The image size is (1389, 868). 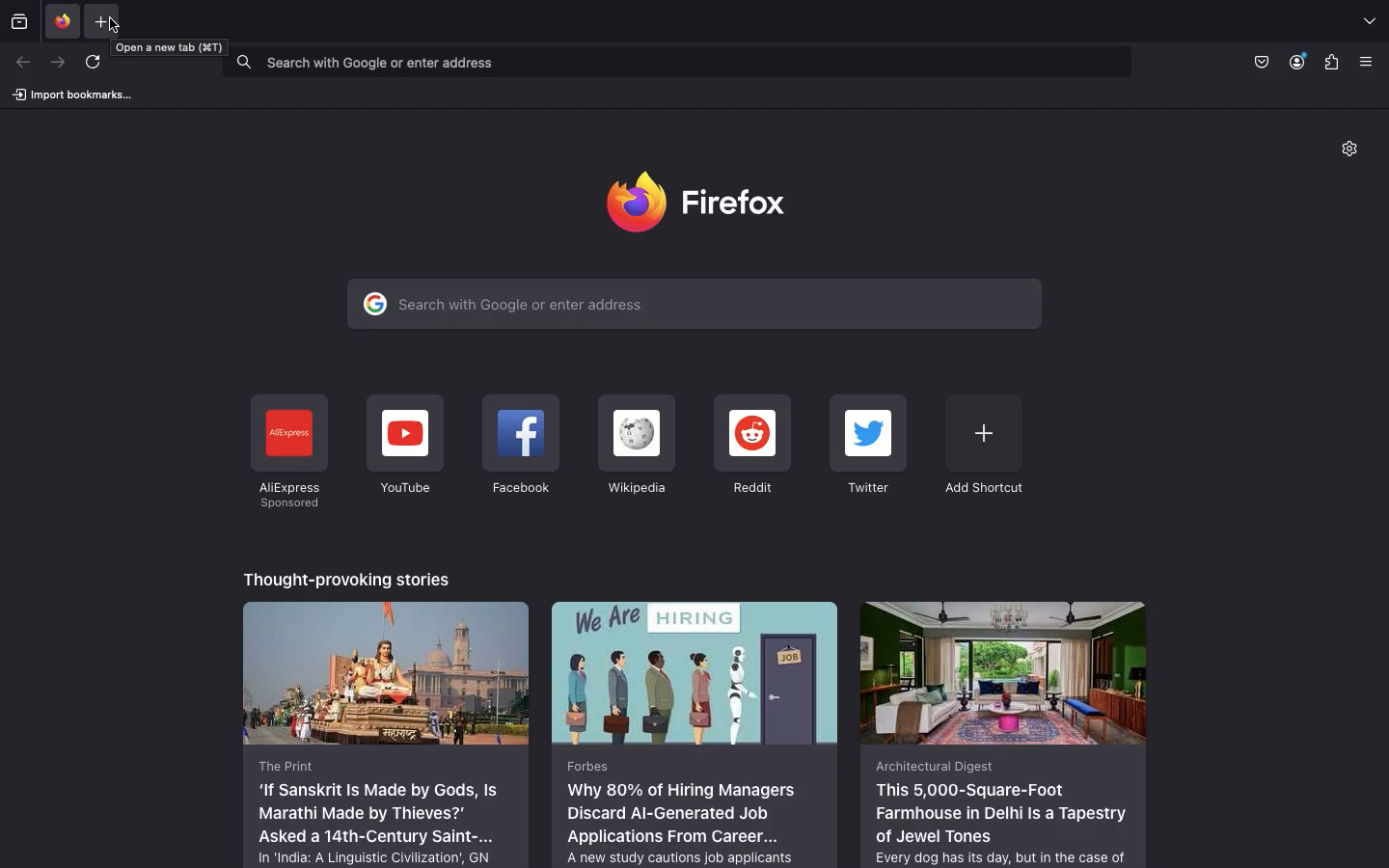 I want to click on Open new tab, so click(x=173, y=46).